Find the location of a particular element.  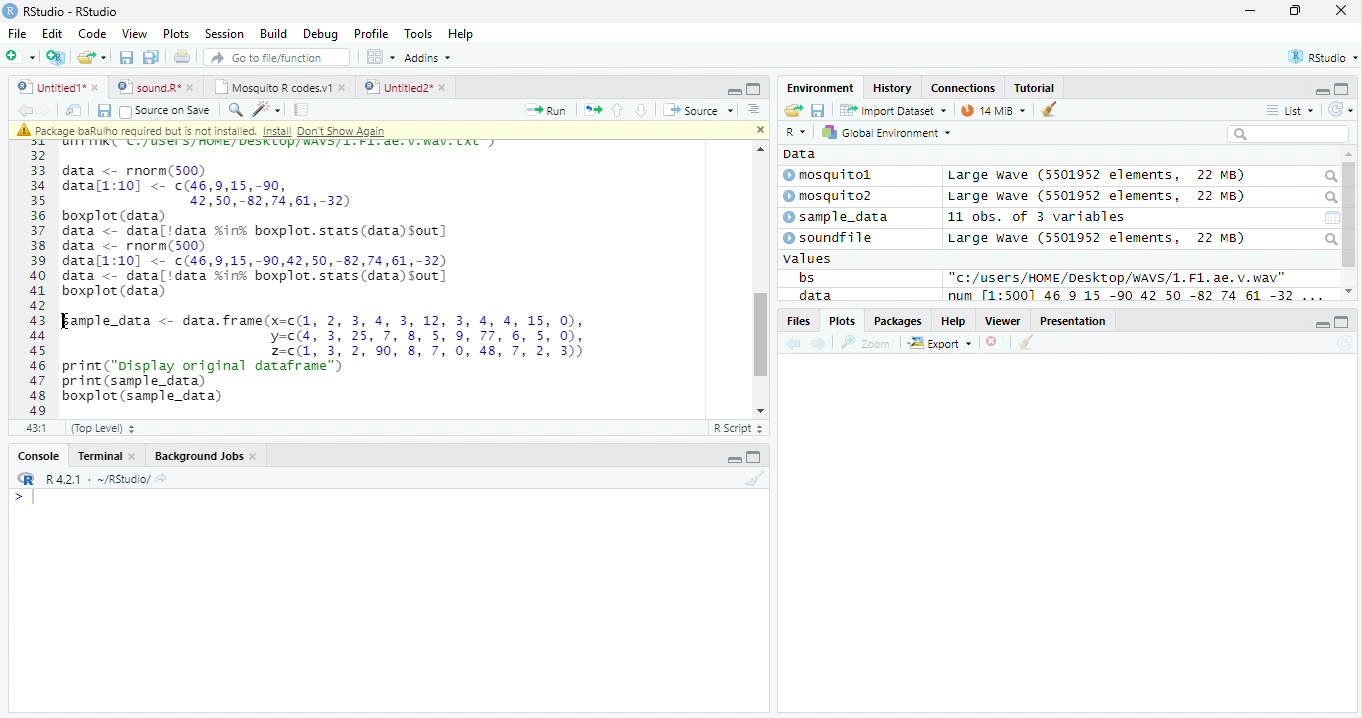

full screen is located at coordinates (1343, 322).